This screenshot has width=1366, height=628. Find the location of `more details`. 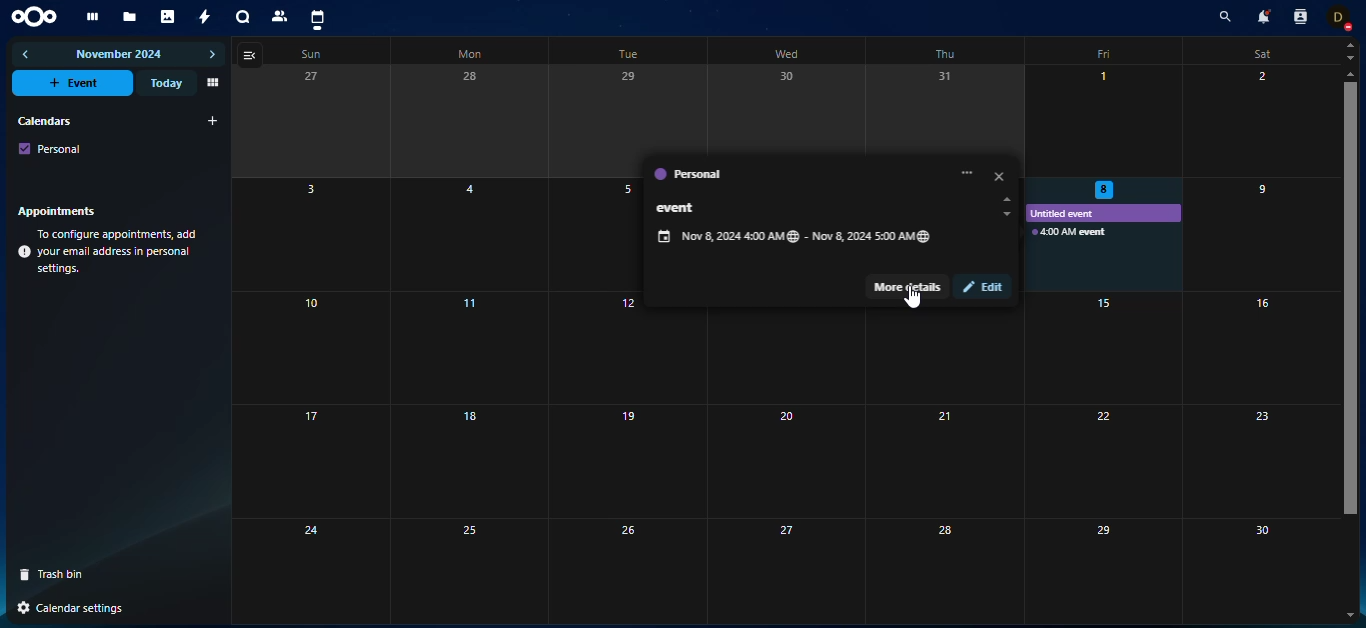

more details is located at coordinates (908, 286).